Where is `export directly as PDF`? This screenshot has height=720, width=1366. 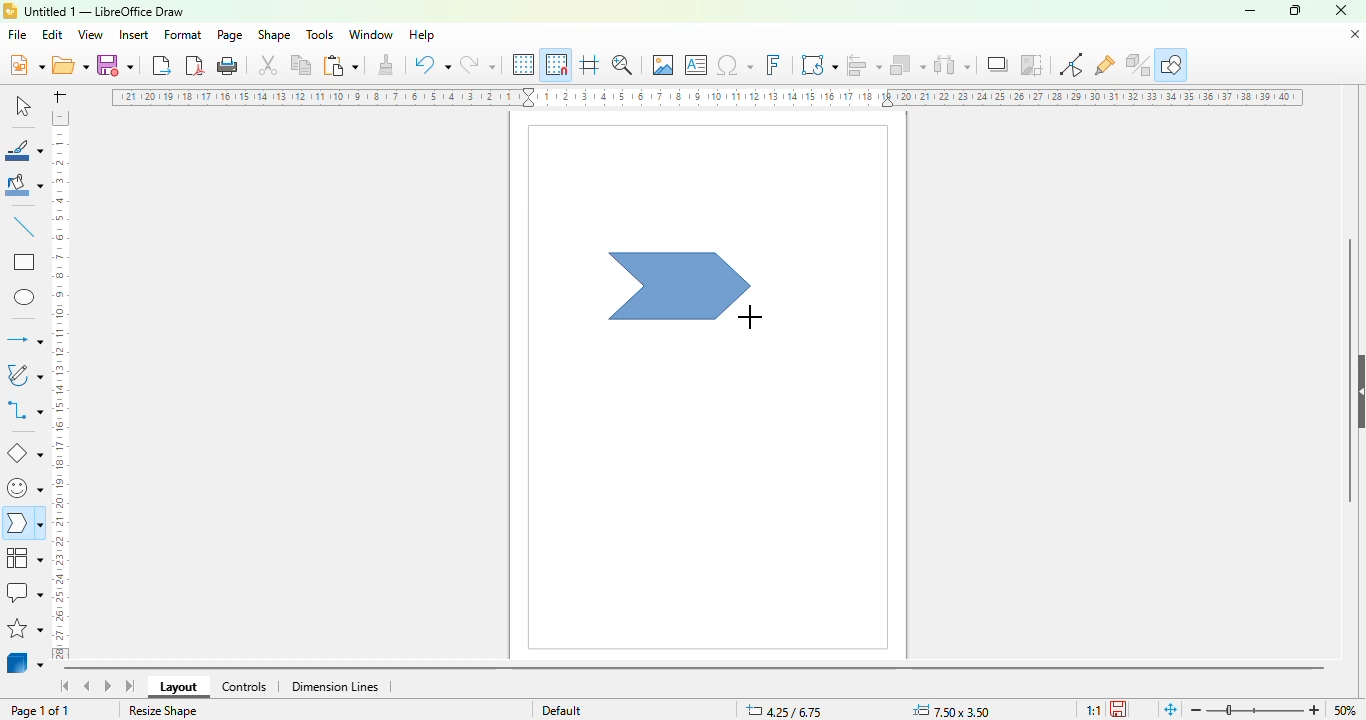
export directly as PDF is located at coordinates (195, 65).